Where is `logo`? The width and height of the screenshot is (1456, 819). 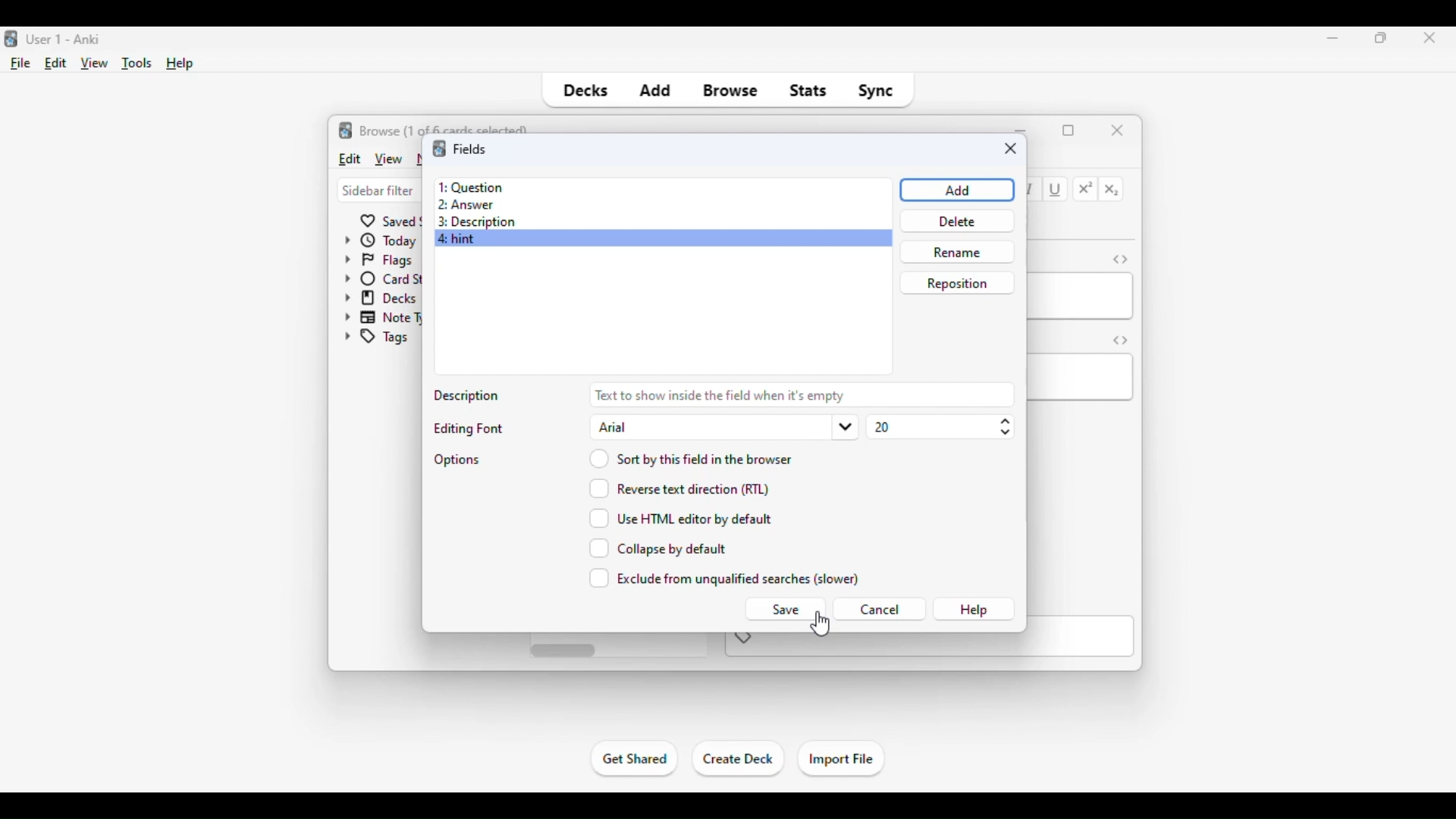 logo is located at coordinates (346, 130).